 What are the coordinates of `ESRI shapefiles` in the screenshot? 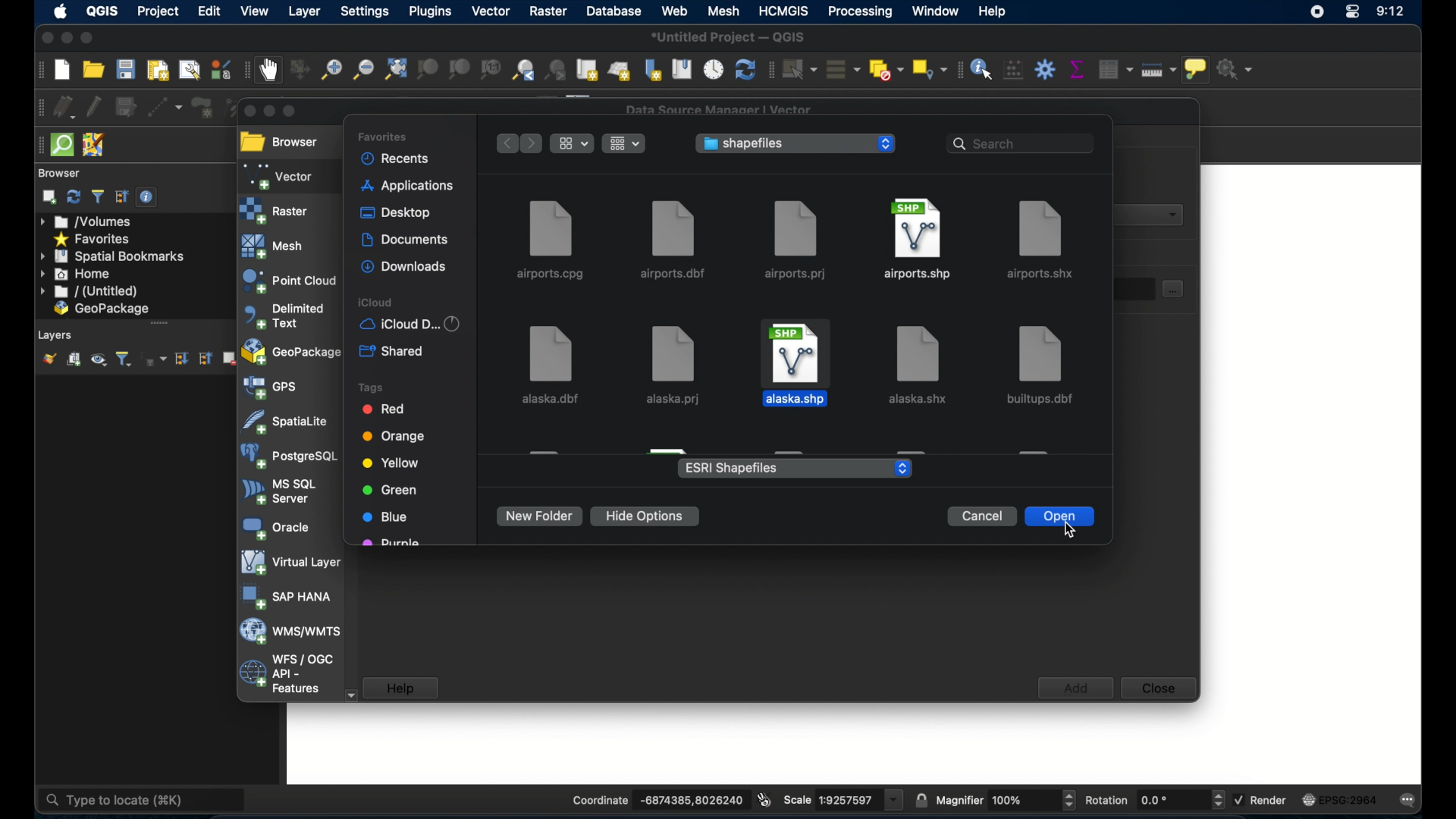 It's located at (732, 469).